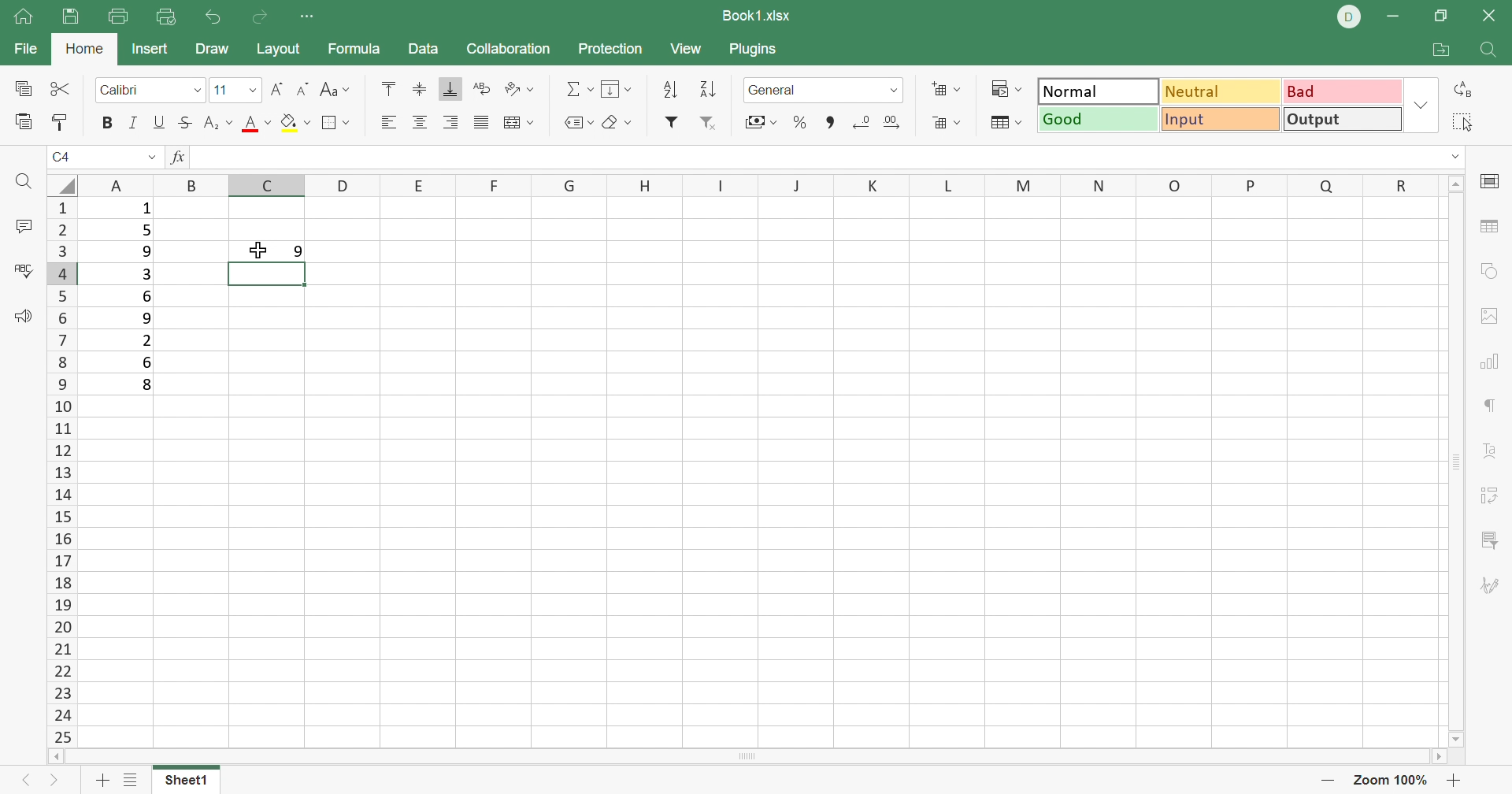 The image size is (1512, 794). What do you see at coordinates (759, 15) in the screenshot?
I see `Book1.xlsx` at bounding box center [759, 15].